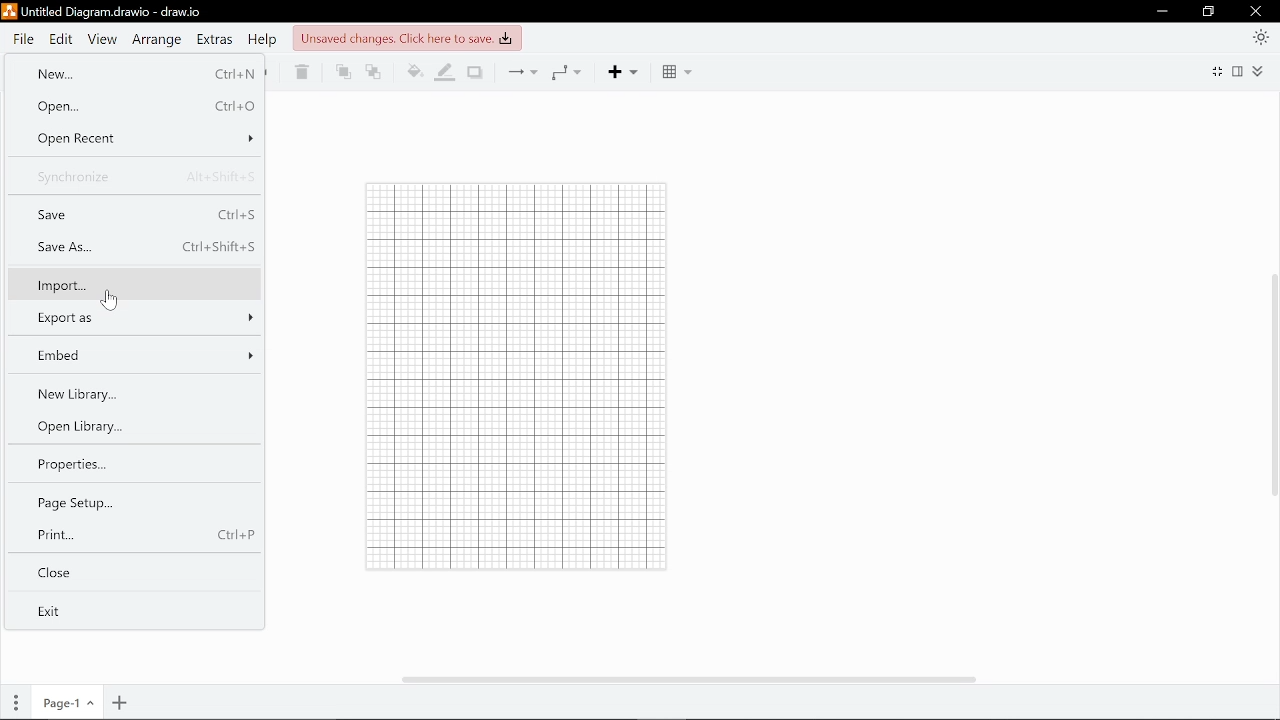  Describe the element at coordinates (446, 73) in the screenshot. I see `Fill line` at that location.